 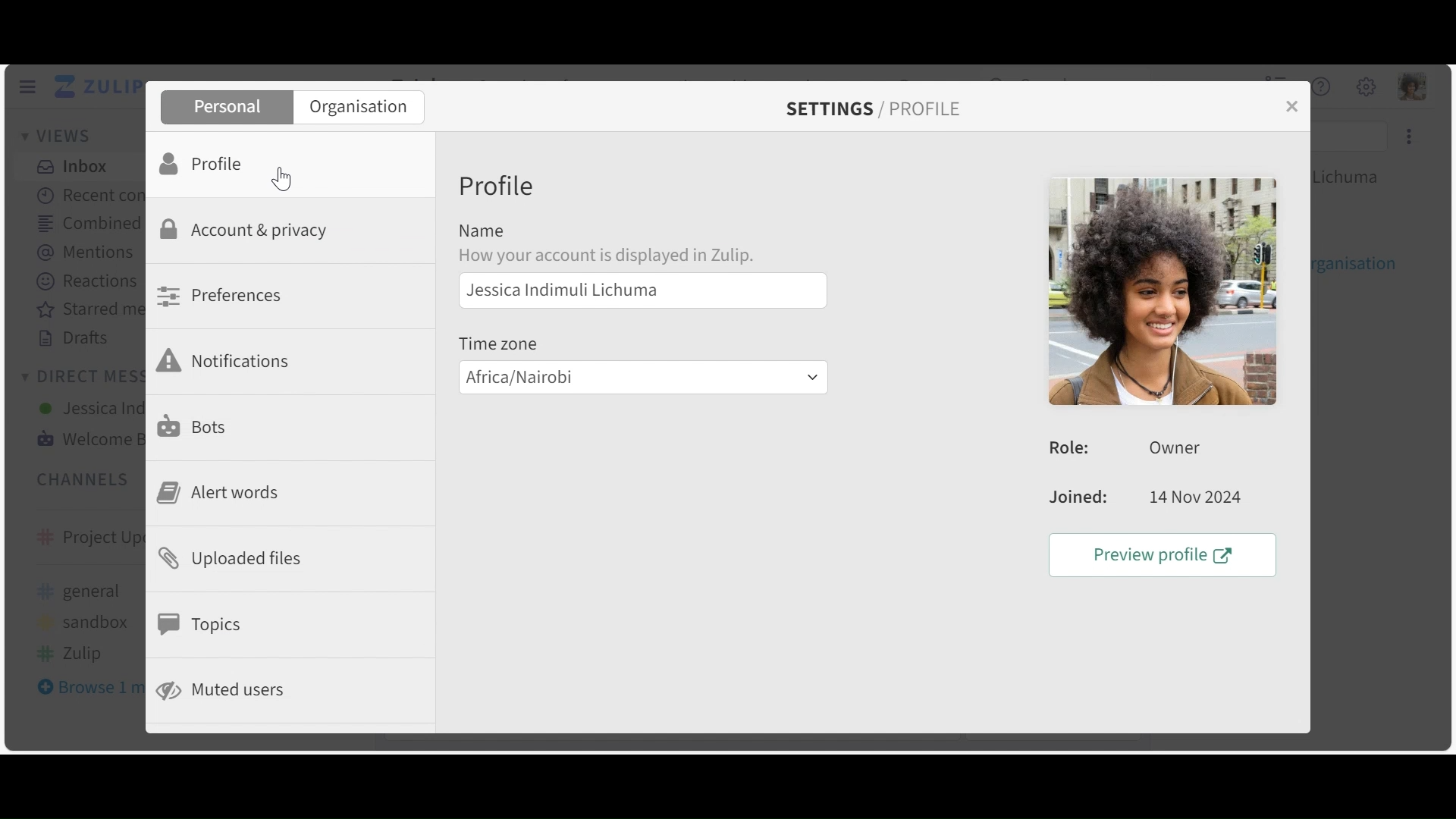 What do you see at coordinates (499, 185) in the screenshot?
I see `Profile` at bounding box center [499, 185].